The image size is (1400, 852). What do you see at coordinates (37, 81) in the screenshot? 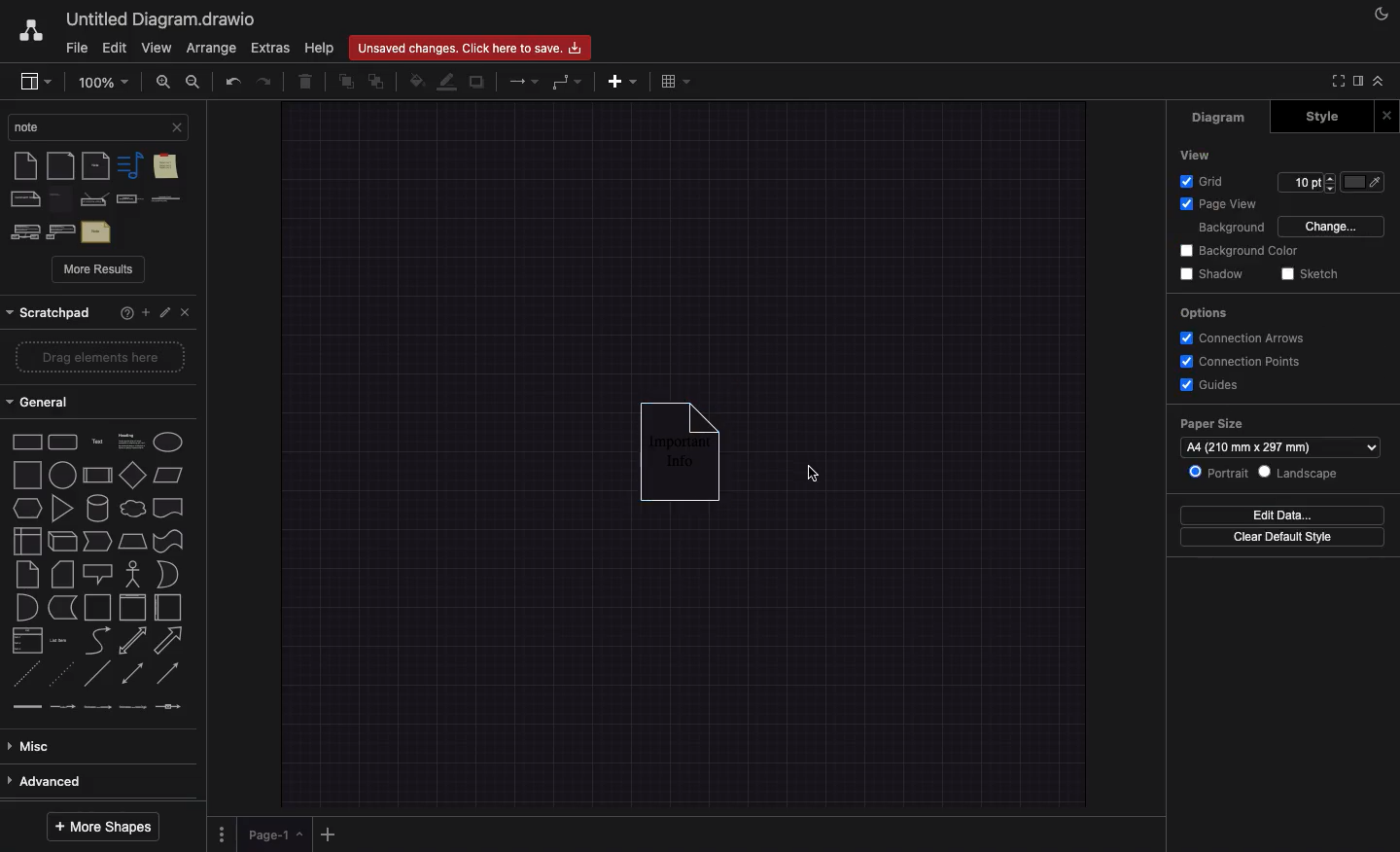
I see `Sidebar` at bounding box center [37, 81].